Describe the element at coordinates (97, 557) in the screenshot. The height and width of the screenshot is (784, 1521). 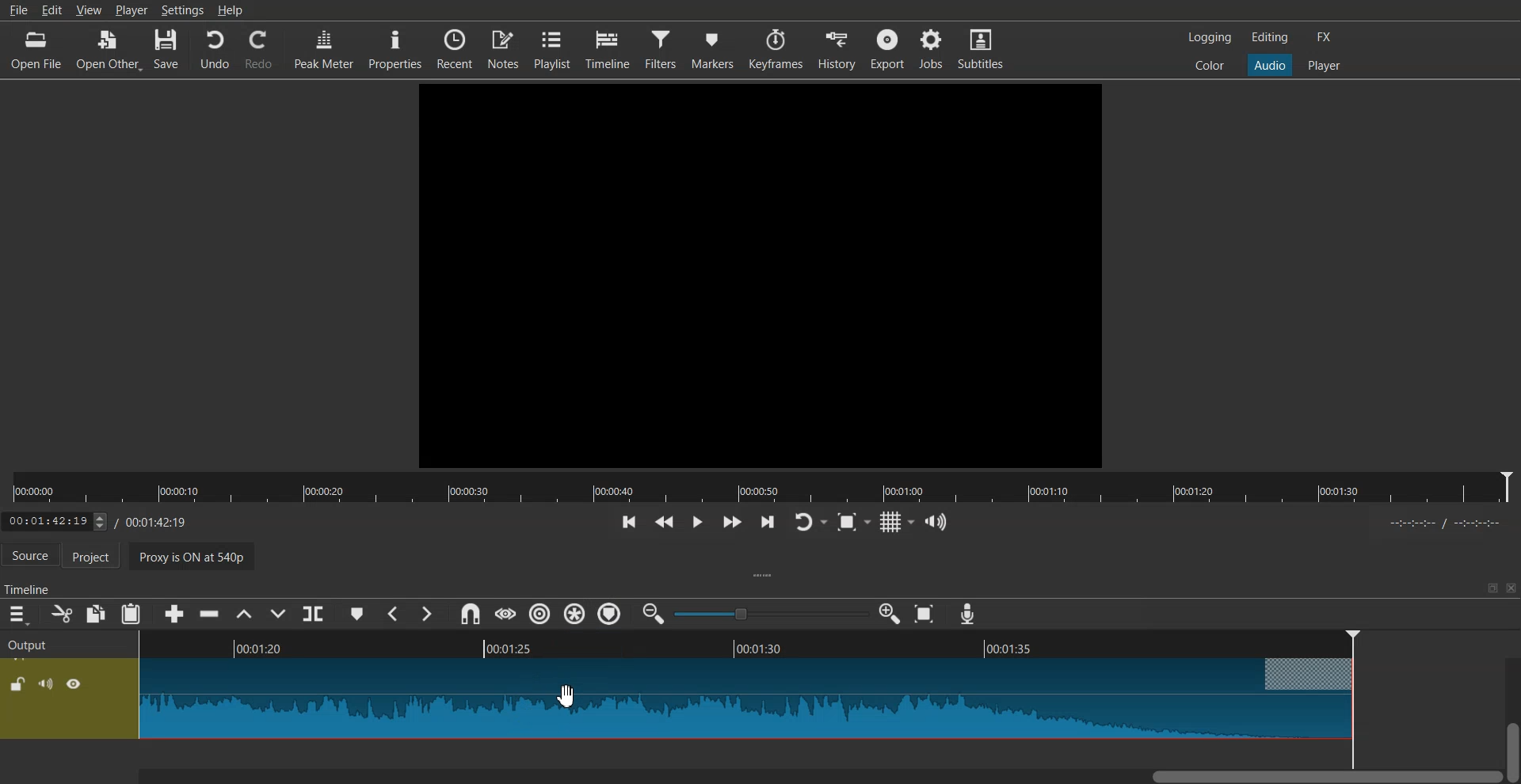
I see `Project` at that location.